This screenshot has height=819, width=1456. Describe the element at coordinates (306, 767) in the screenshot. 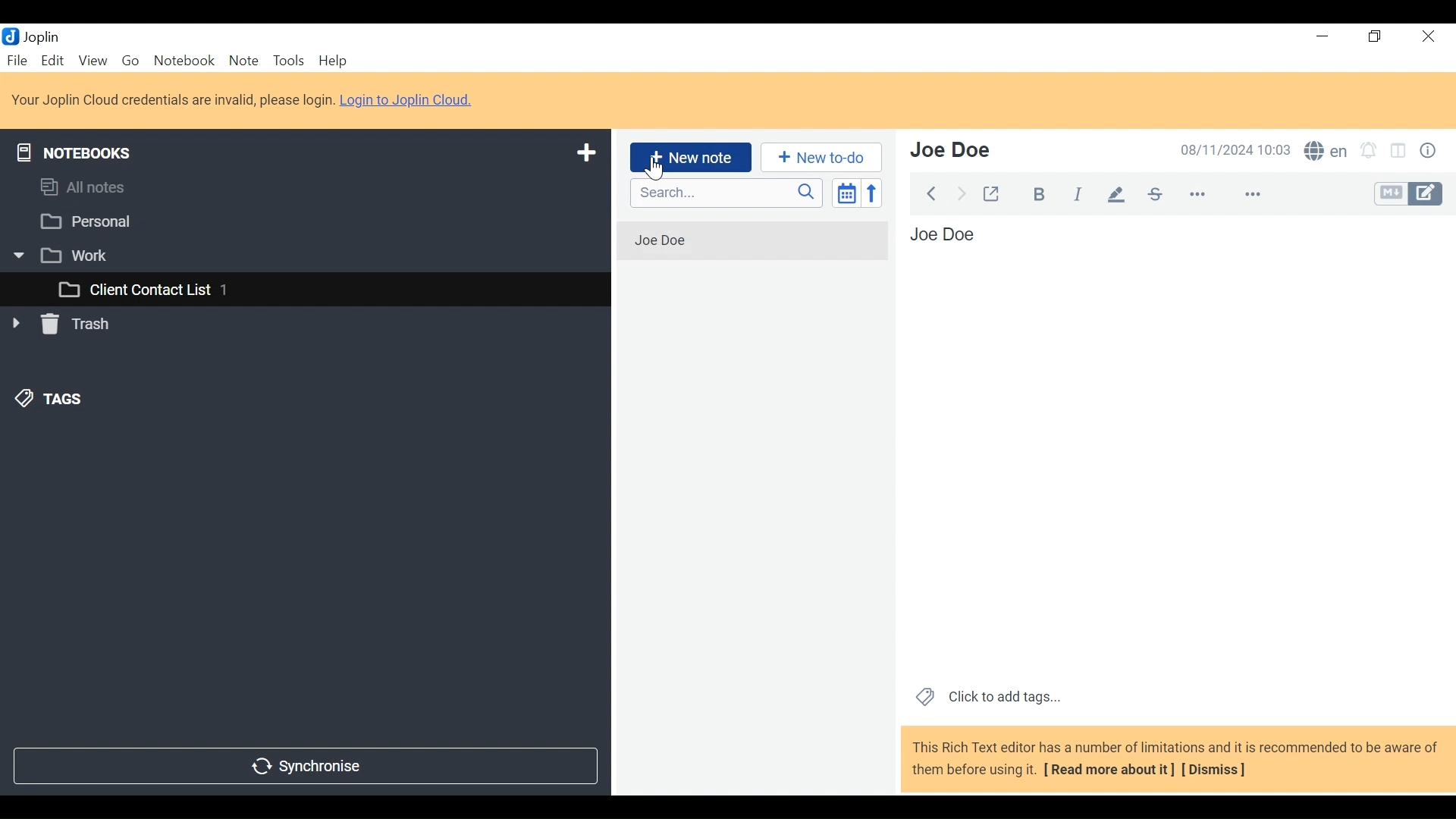

I see `Synchronise` at that location.